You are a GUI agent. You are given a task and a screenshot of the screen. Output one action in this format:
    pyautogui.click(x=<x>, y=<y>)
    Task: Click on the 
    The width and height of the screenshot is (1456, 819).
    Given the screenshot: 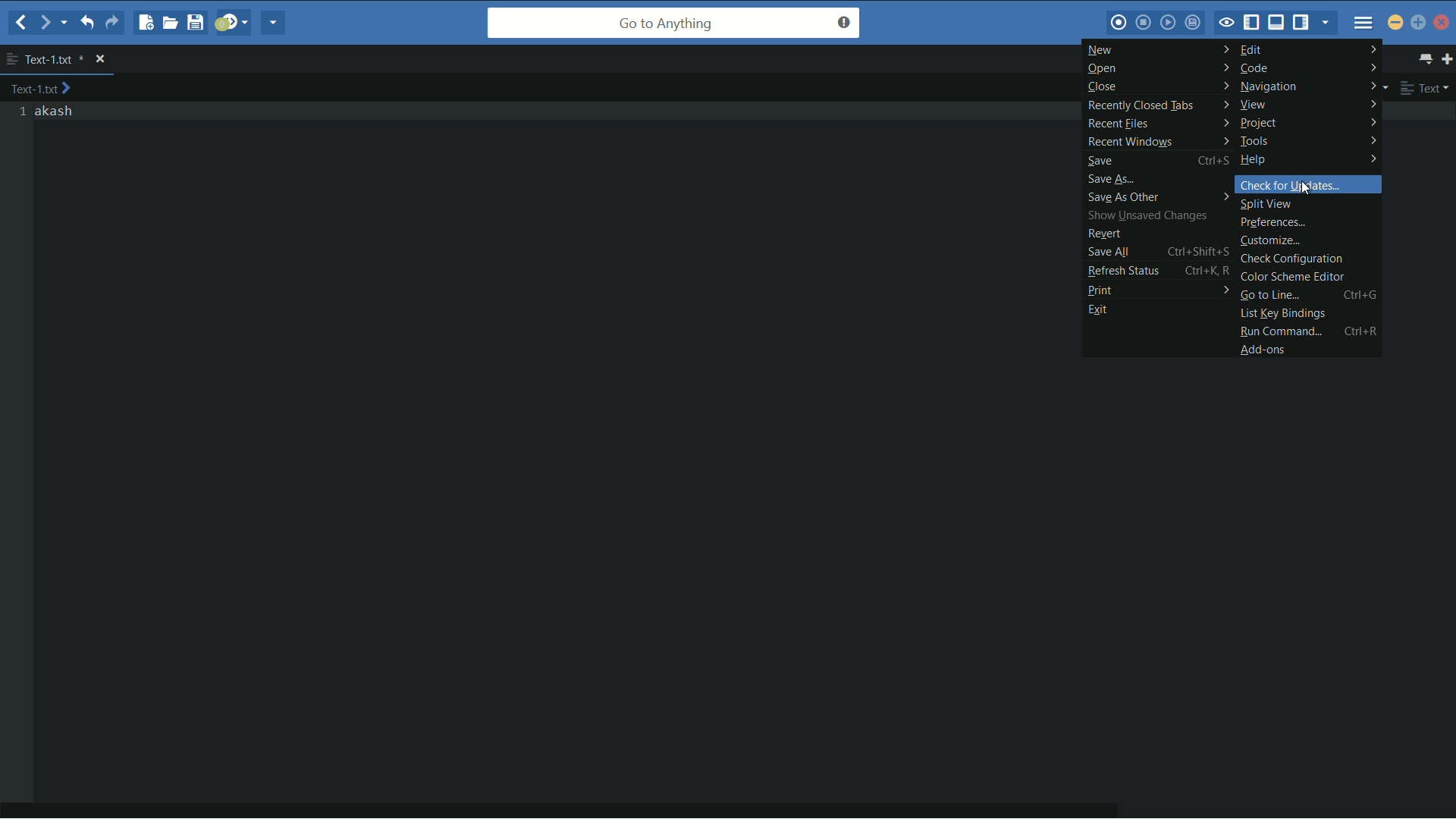 What is the action you would take?
    pyautogui.click(x=113, y=23)
    